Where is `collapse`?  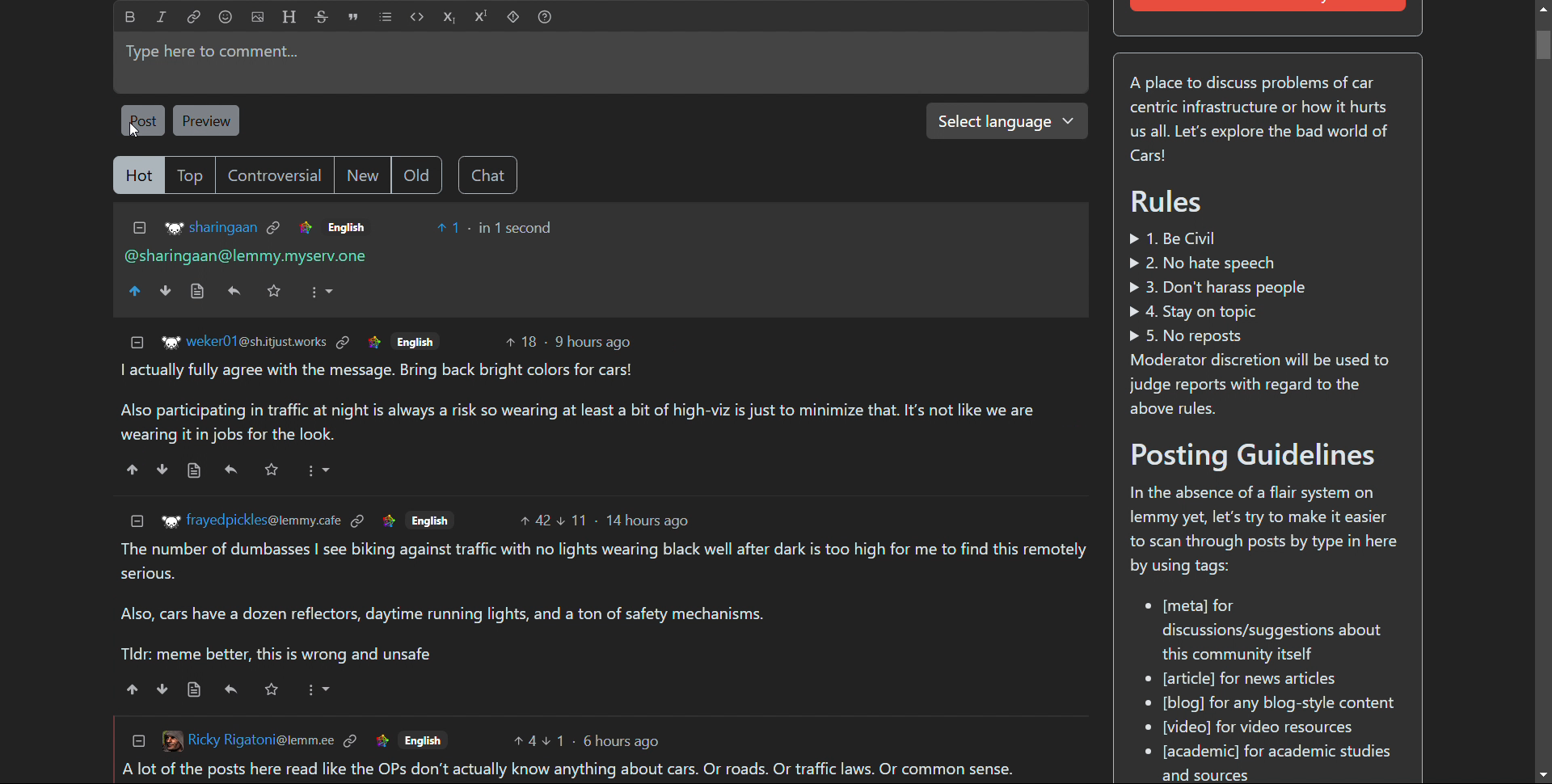
collapse is located at coordinates (137, 229).